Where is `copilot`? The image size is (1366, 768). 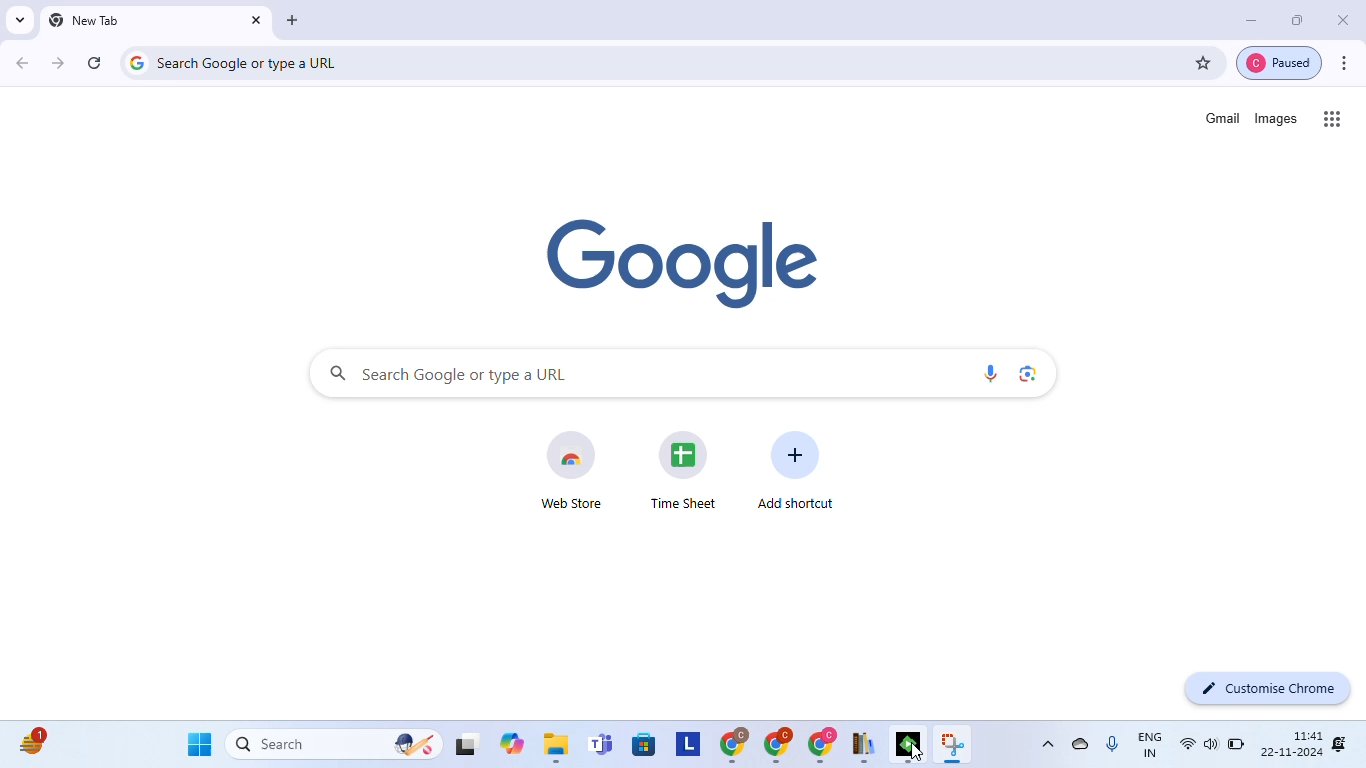
copilot is located at coordinates (514, 743).